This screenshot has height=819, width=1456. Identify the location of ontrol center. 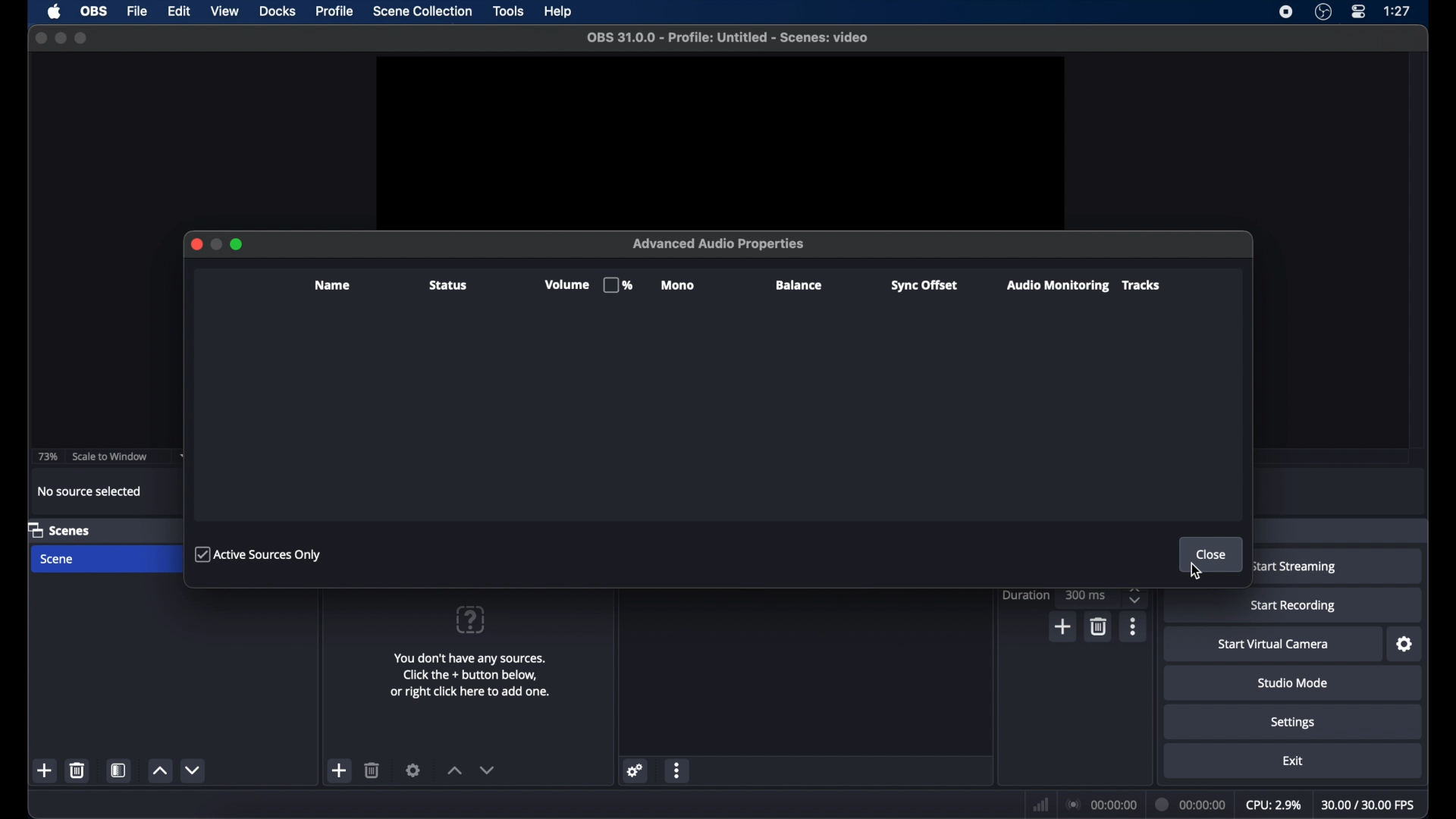
(1360, 12).